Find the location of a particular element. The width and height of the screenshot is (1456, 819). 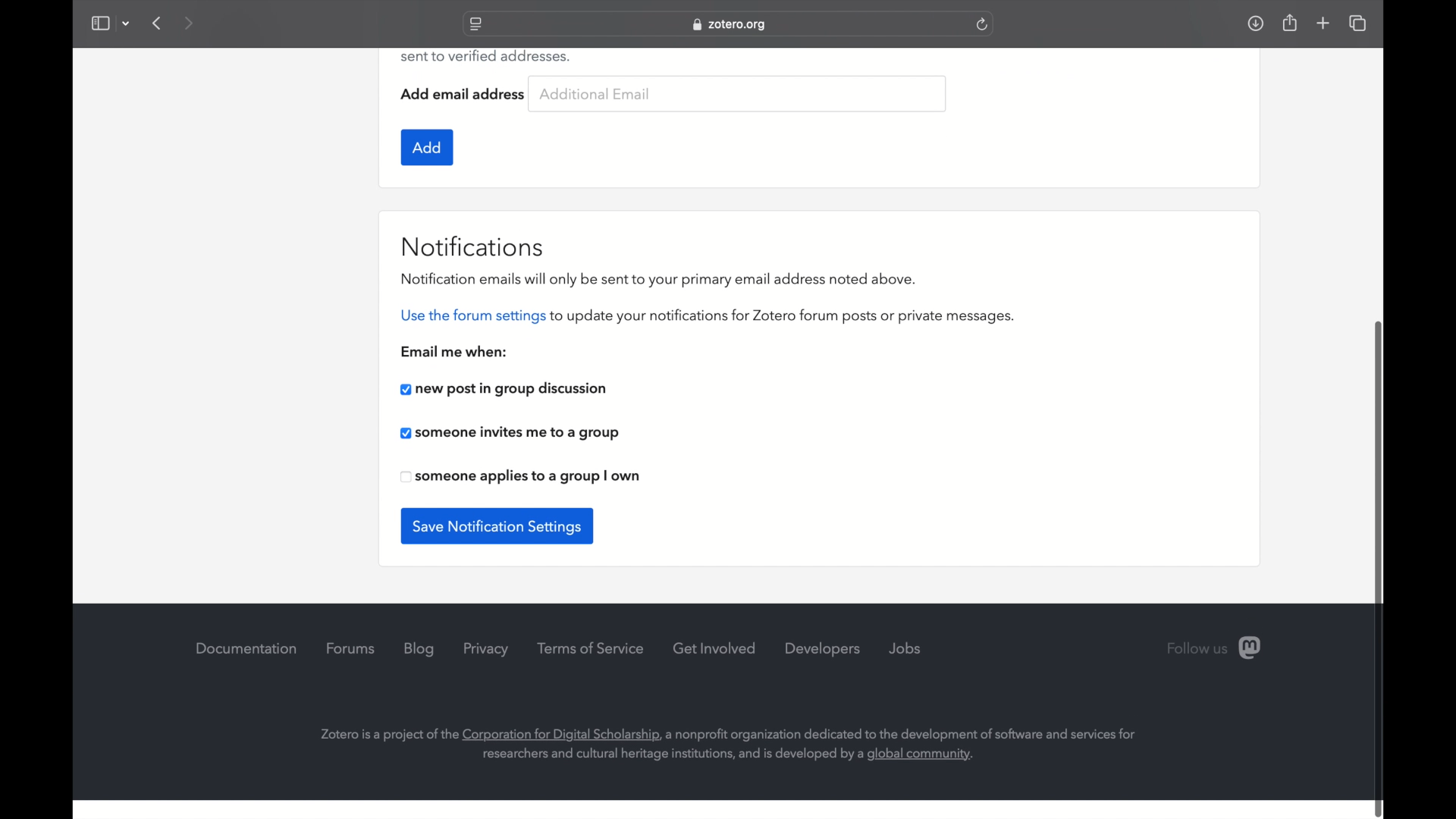

zotero company's background is located at coordinates (729, 745).